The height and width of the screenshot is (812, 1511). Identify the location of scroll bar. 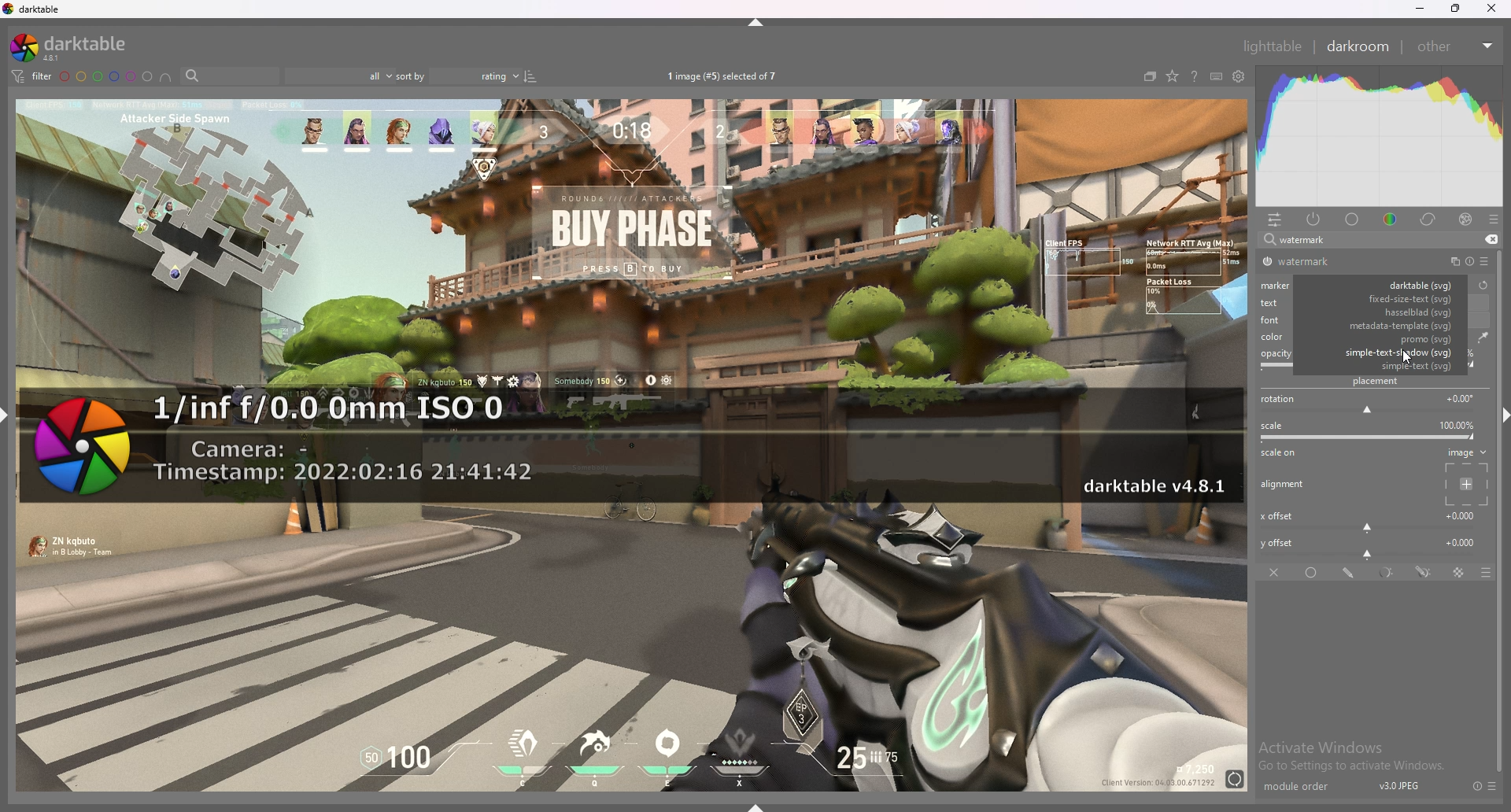
(1502, 600).